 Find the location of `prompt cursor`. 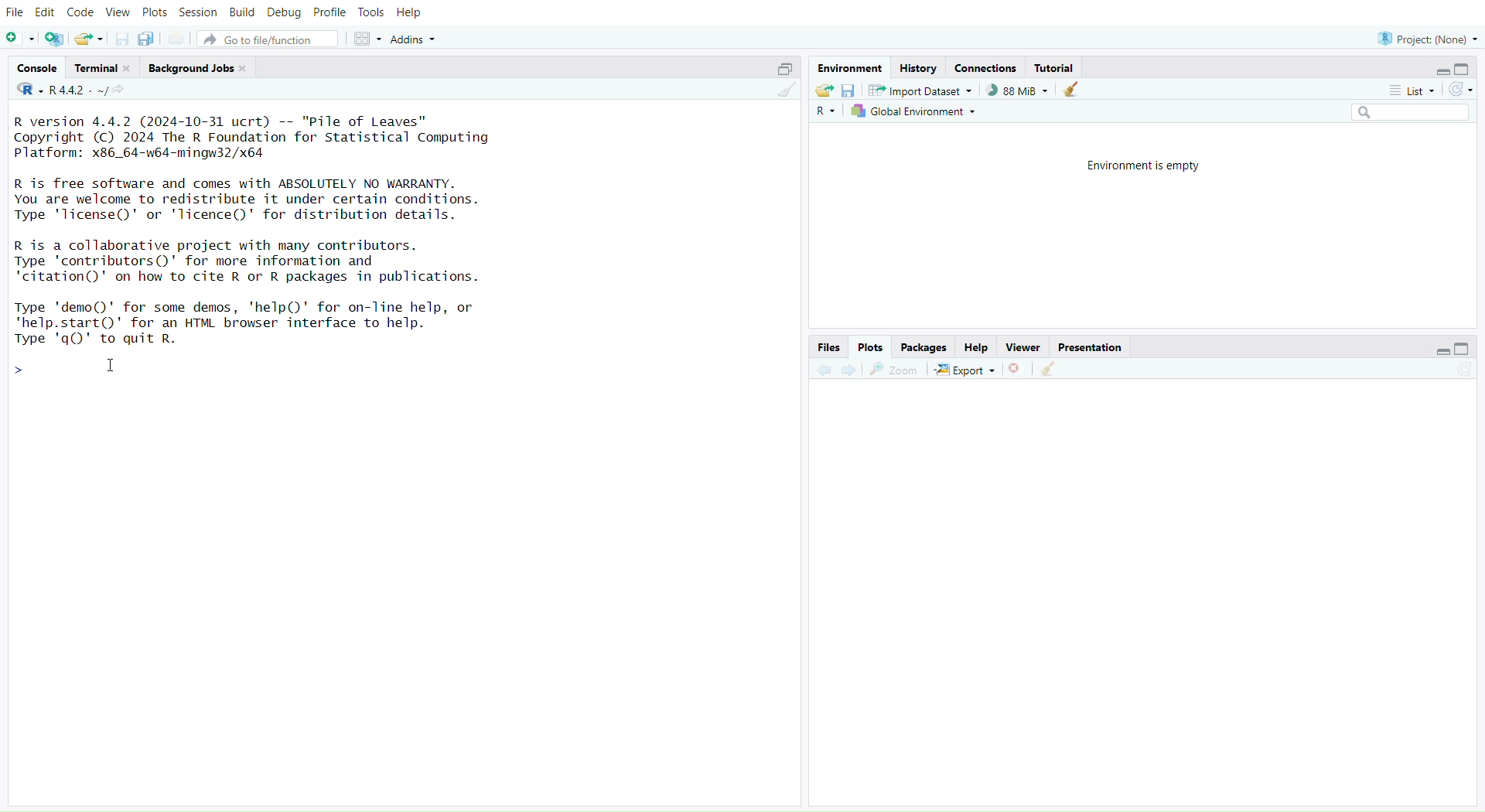

prompt cursor is located at coordinates (19, 374).